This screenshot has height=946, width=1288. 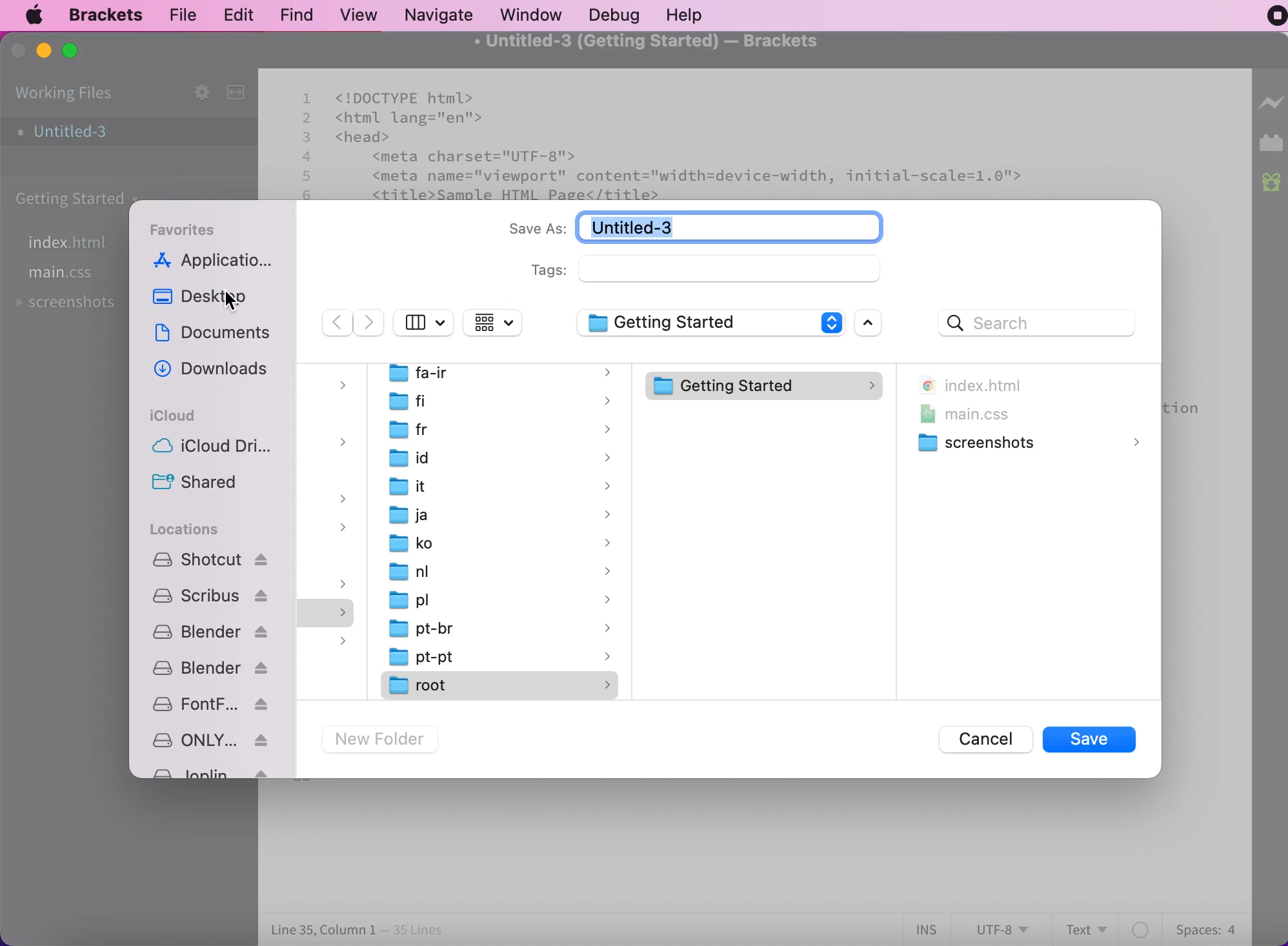 I want to click on next, so click(x=370, y=321).